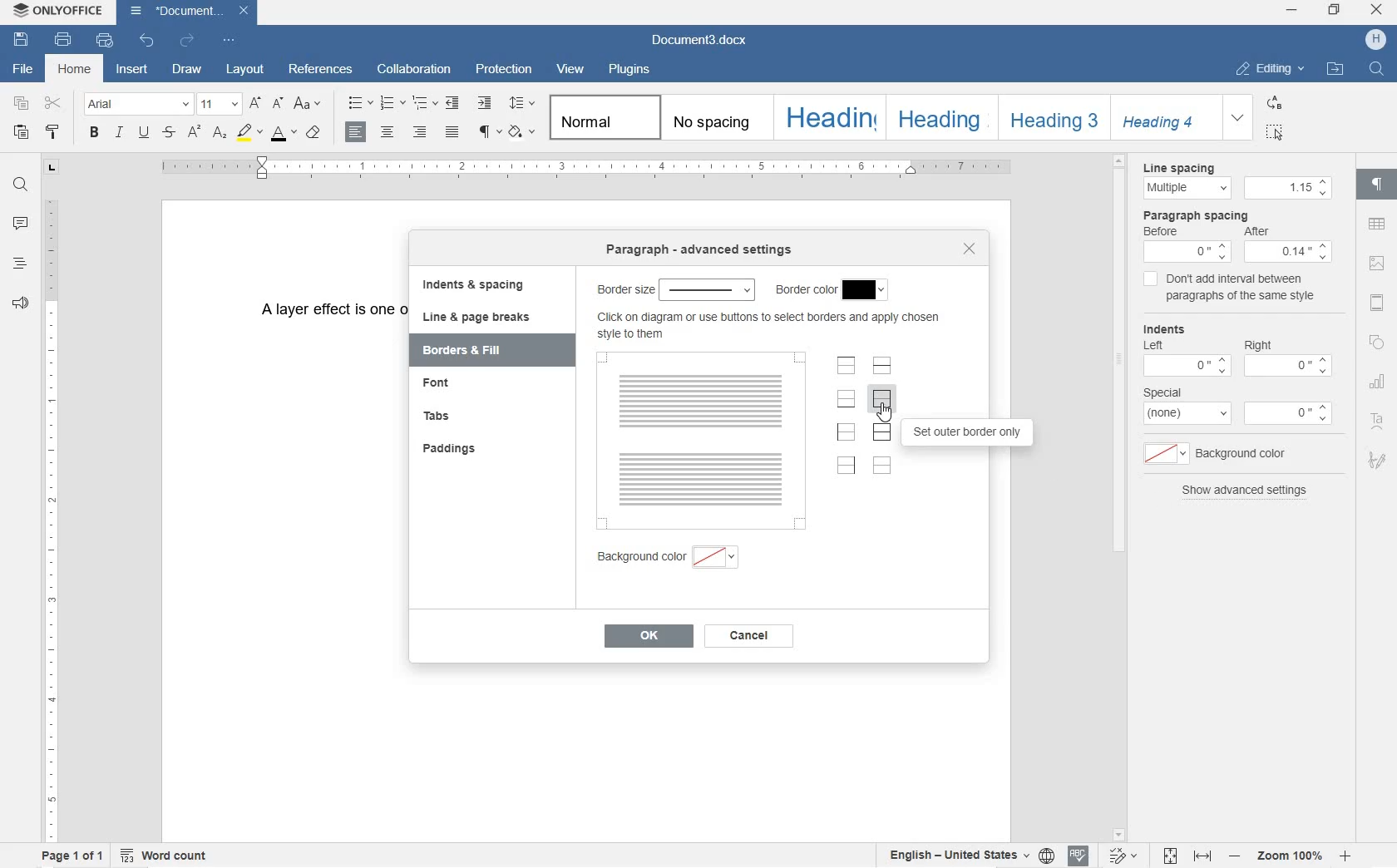 This screenshot has width=1397, height=868. Describe the element at coordinates (243, 71) in the screenshot. I see `LAYOUT` at that location.